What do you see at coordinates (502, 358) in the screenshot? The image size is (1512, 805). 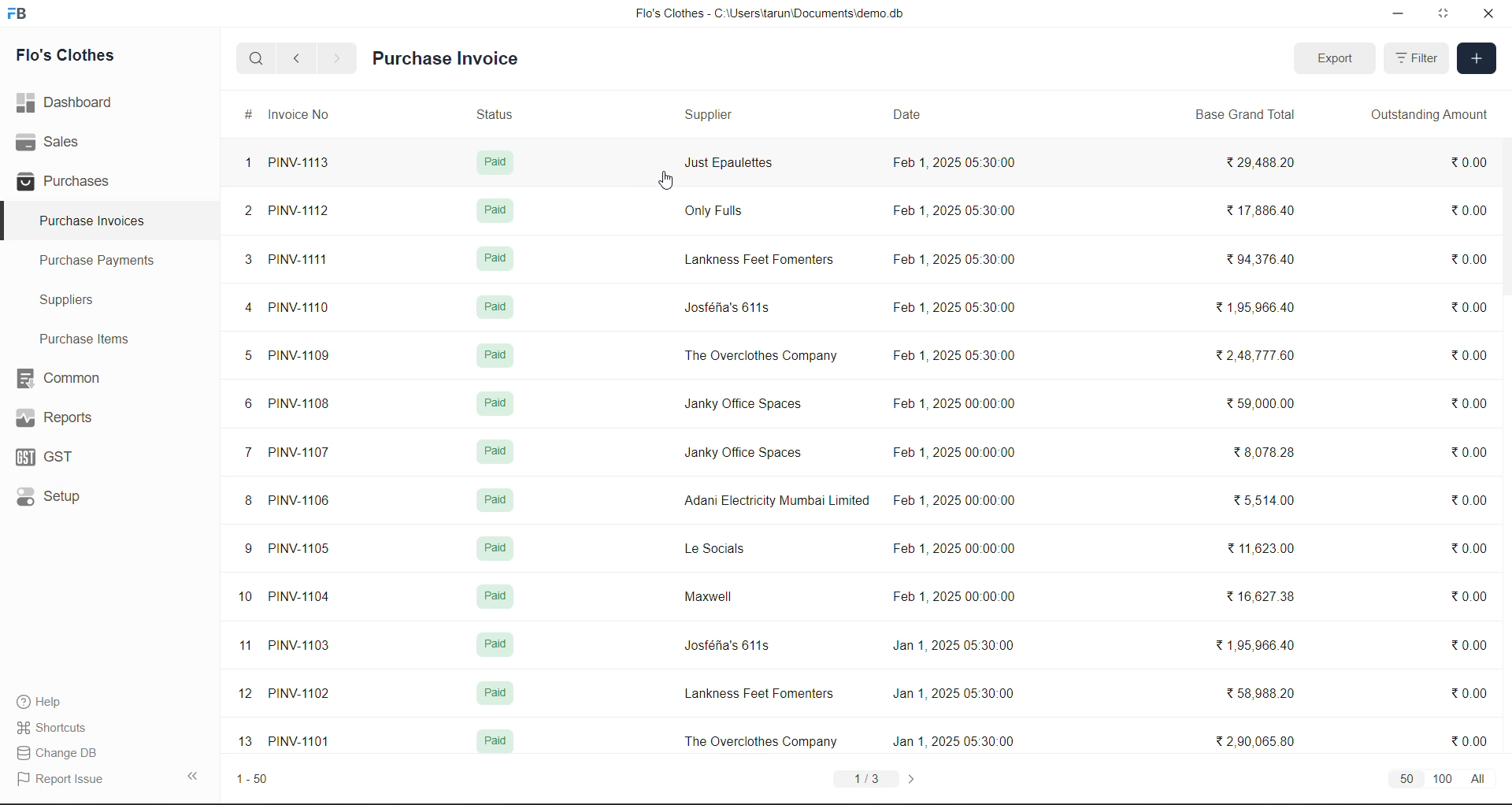 I see `Paid` at bounding box center [502, 358].